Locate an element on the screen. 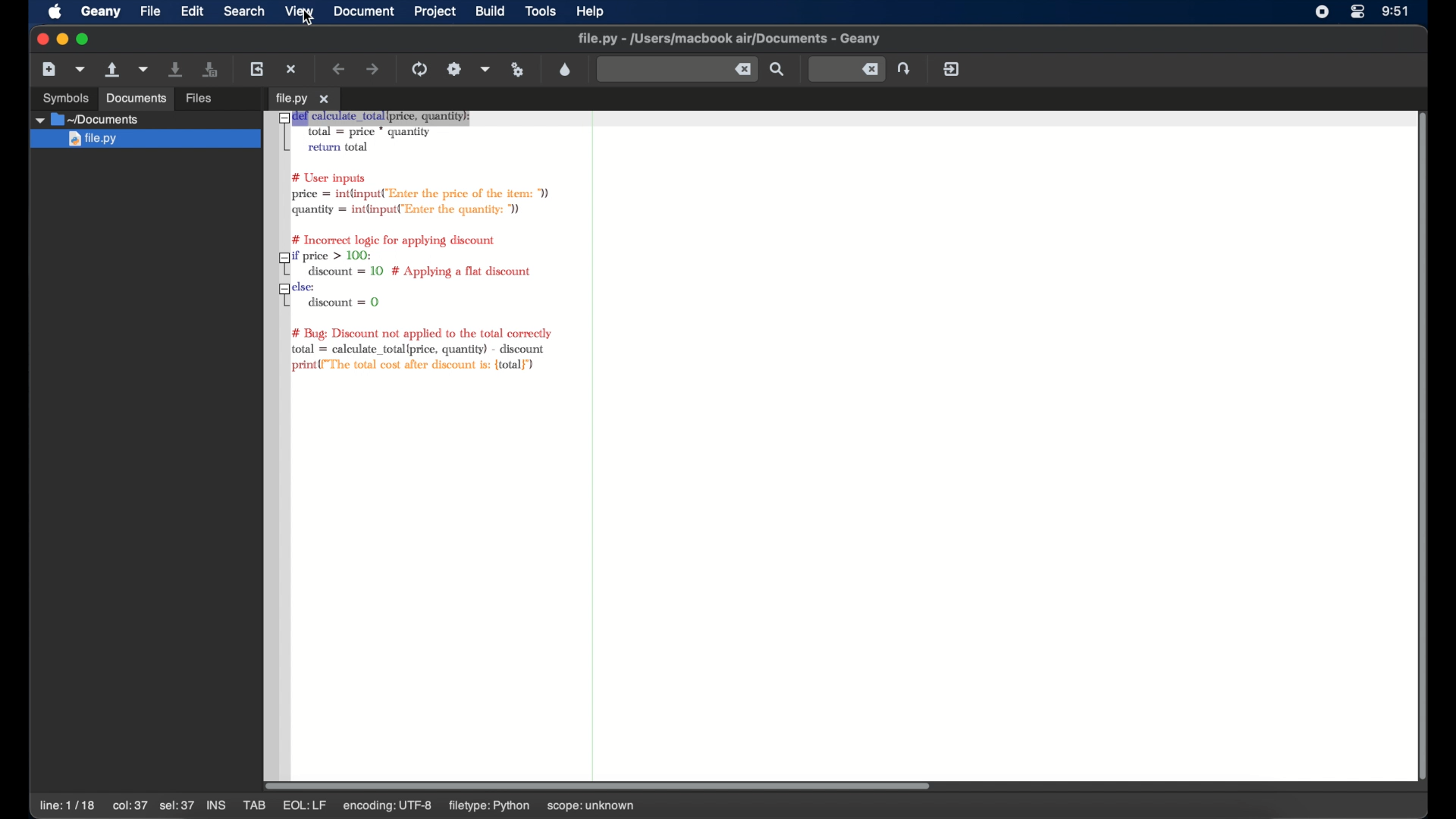 The width and height of the screenshot is (1456, 819). col:37 is located at coordinates (130, 805).